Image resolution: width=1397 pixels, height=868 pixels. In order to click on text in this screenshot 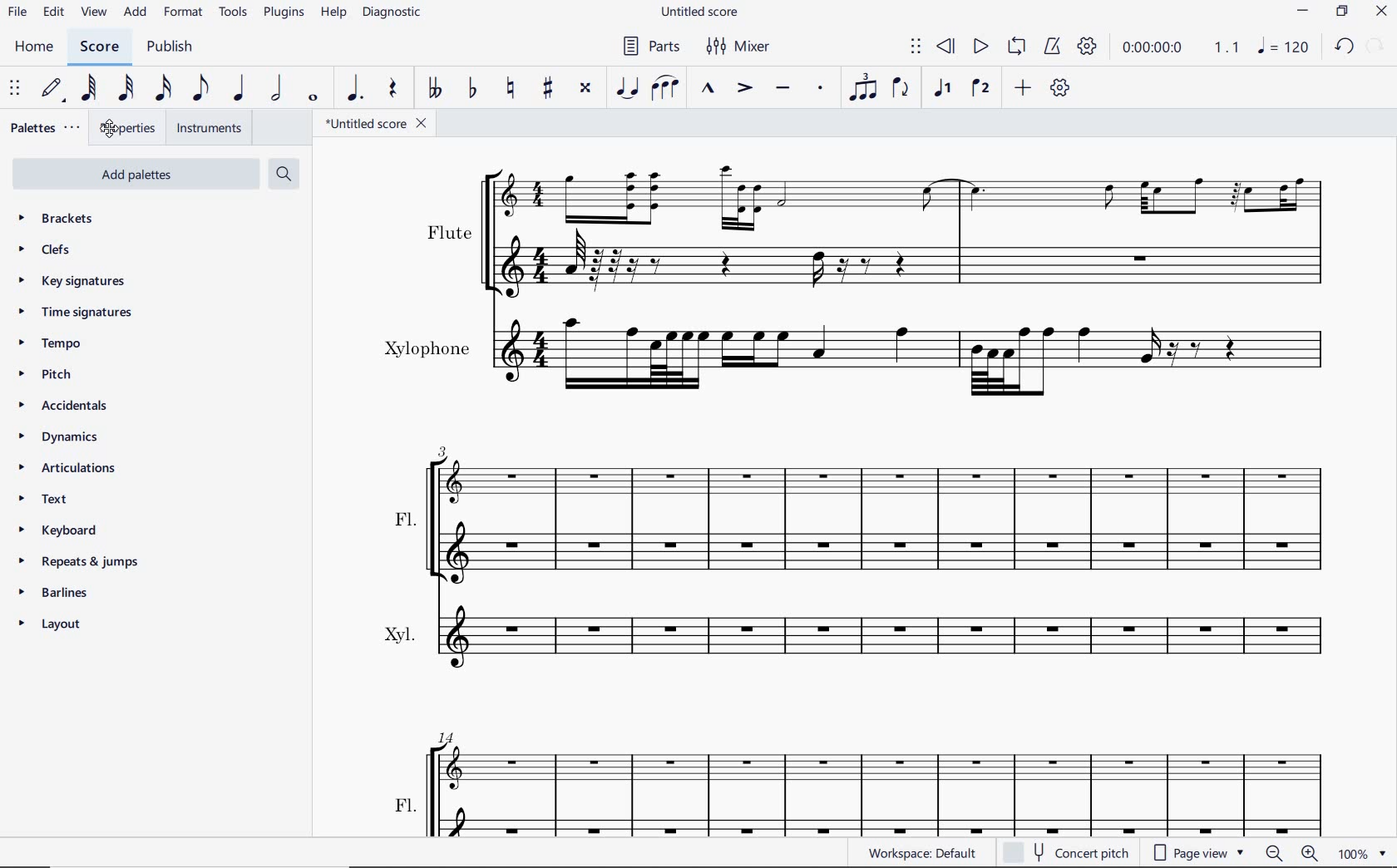, I will do `click(42, 497)`.